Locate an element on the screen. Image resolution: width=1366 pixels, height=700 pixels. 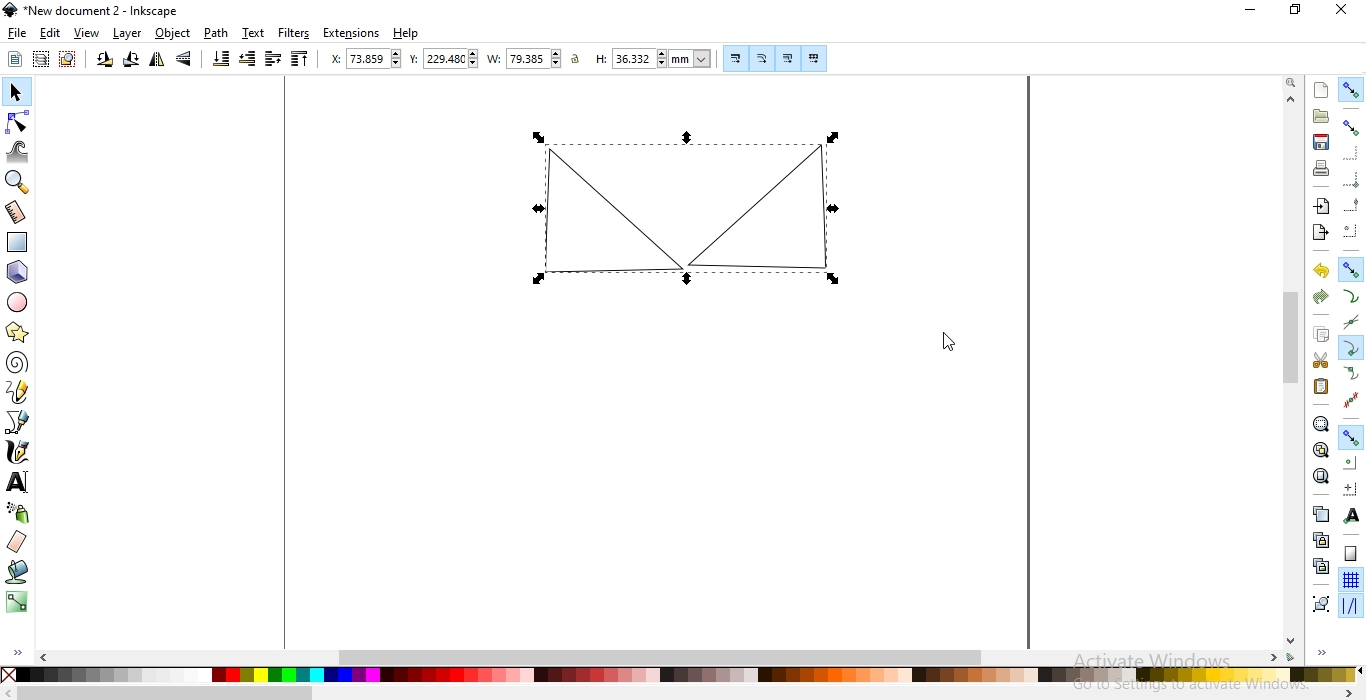
zoom in or out is located at coordinates (17, 183).